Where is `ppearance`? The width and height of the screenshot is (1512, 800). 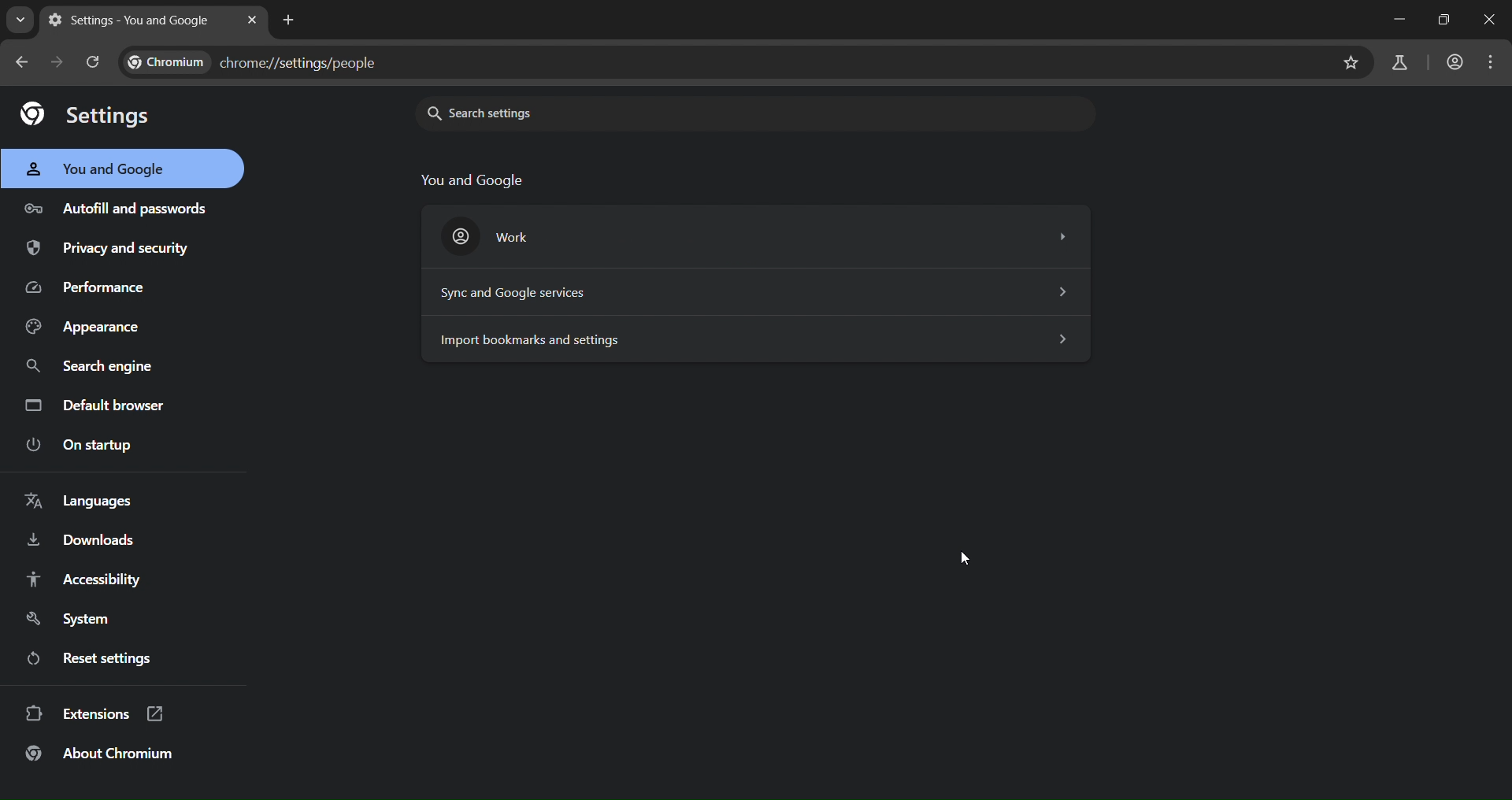
ppearance is located at coordinates (85, 331).